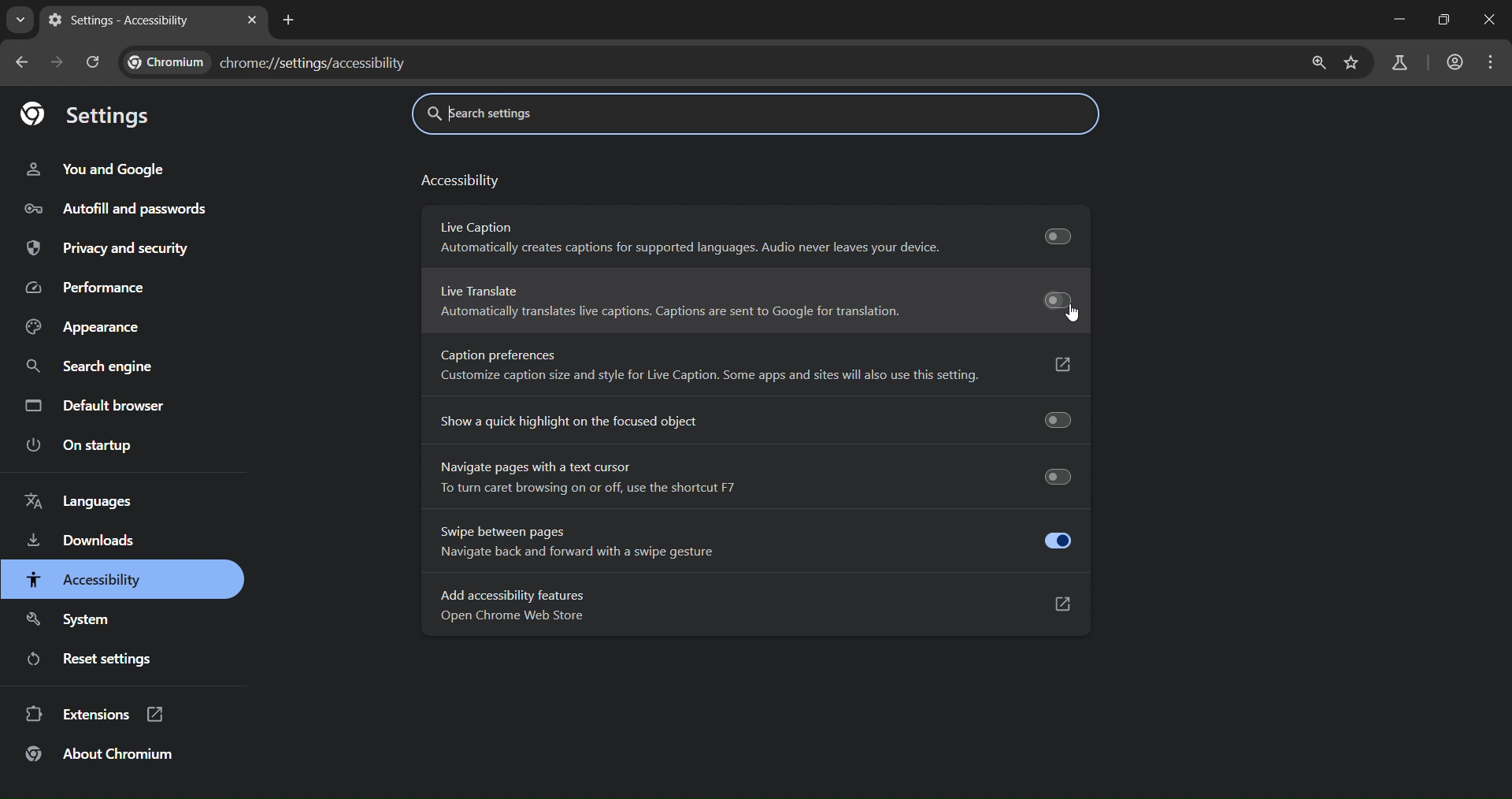 The width and height of the screenshot is (1512, 799). Describe the element at coordinates (167, 62) in the screenshot. I see `Chromium` at that location.